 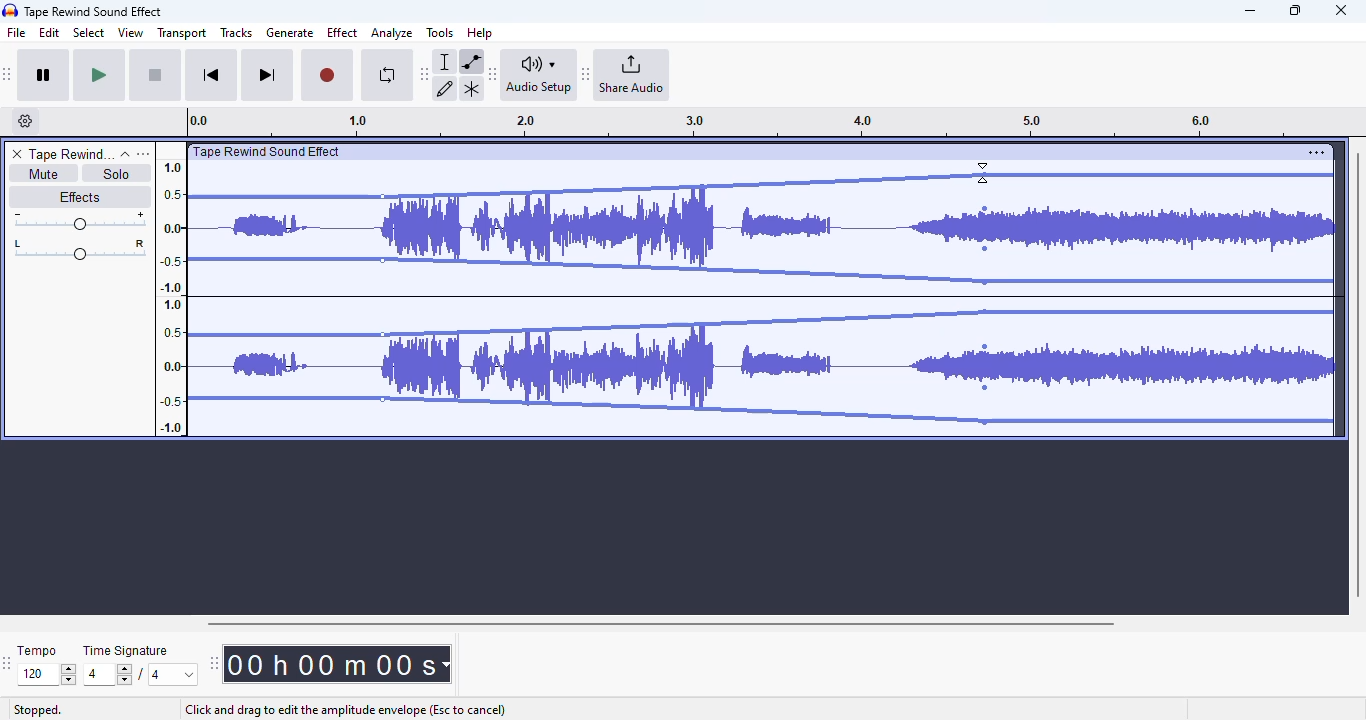 I want to click on tools, so click(x=440, y=32).